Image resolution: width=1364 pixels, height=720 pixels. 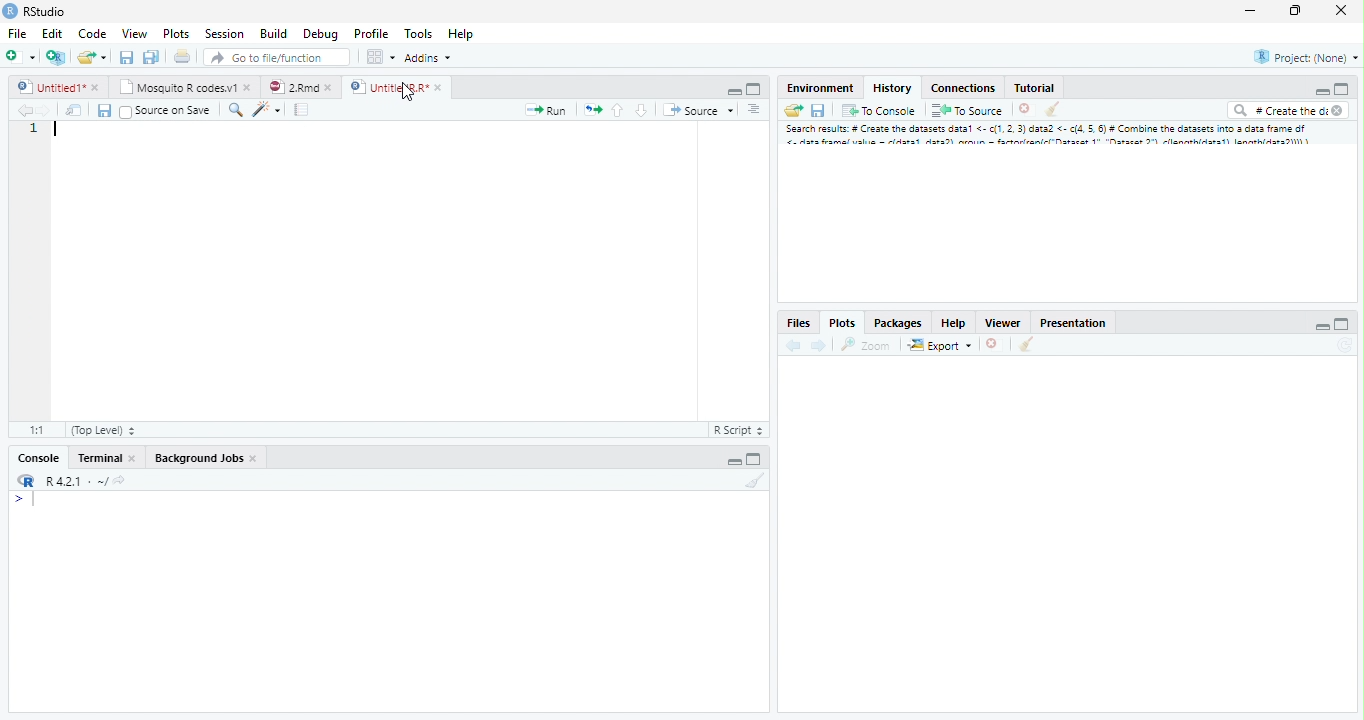 I want to click on Search result # create dataset data.., so click(x=1052, y=137).